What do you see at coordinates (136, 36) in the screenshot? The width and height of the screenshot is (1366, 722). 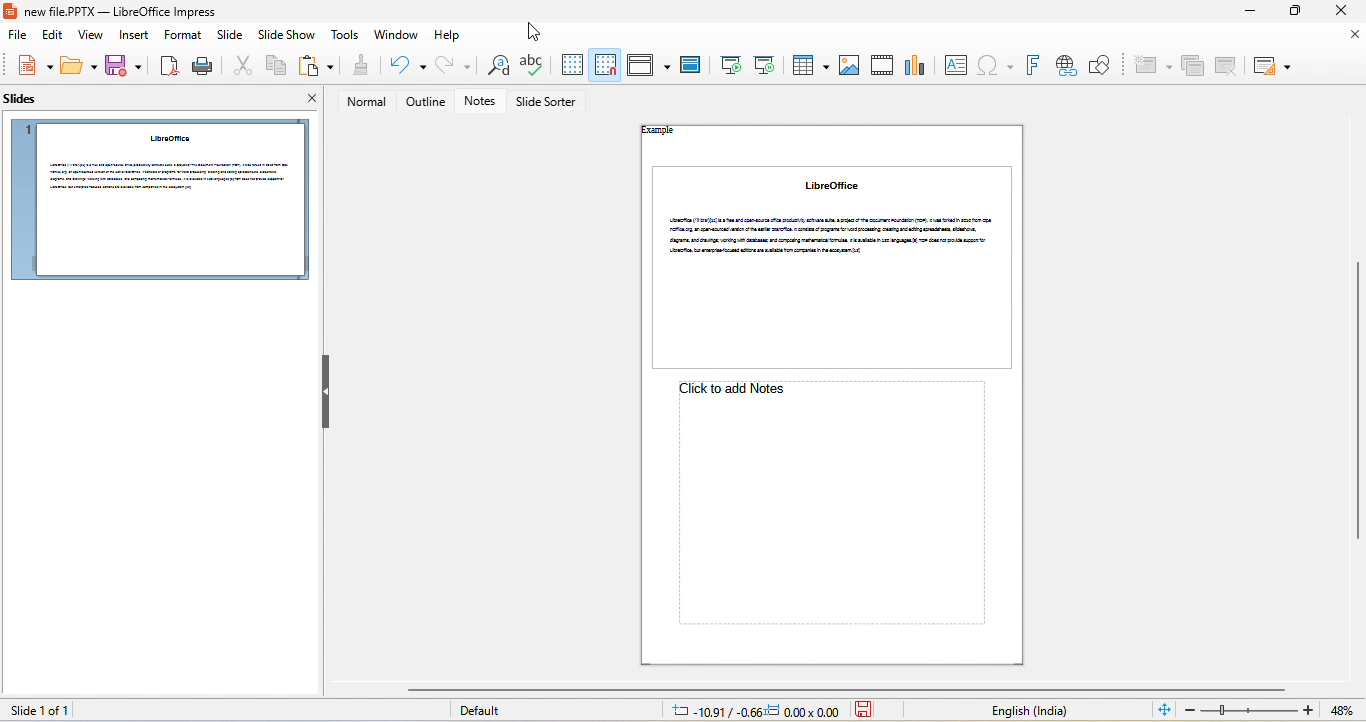 I see `insert` at bounding box center [136, 36].